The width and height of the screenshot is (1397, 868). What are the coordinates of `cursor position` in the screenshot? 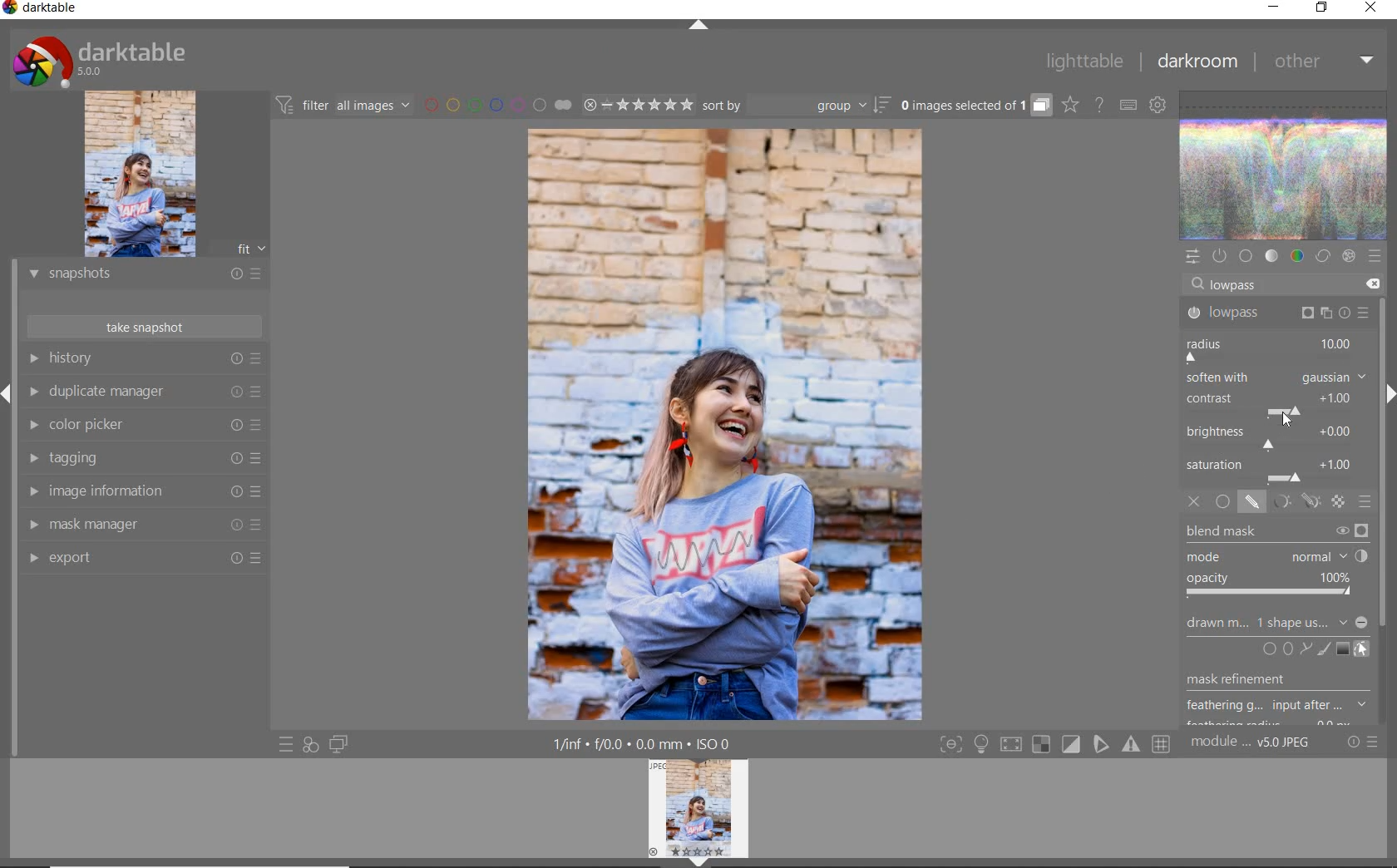 It's located at (1286, 421).